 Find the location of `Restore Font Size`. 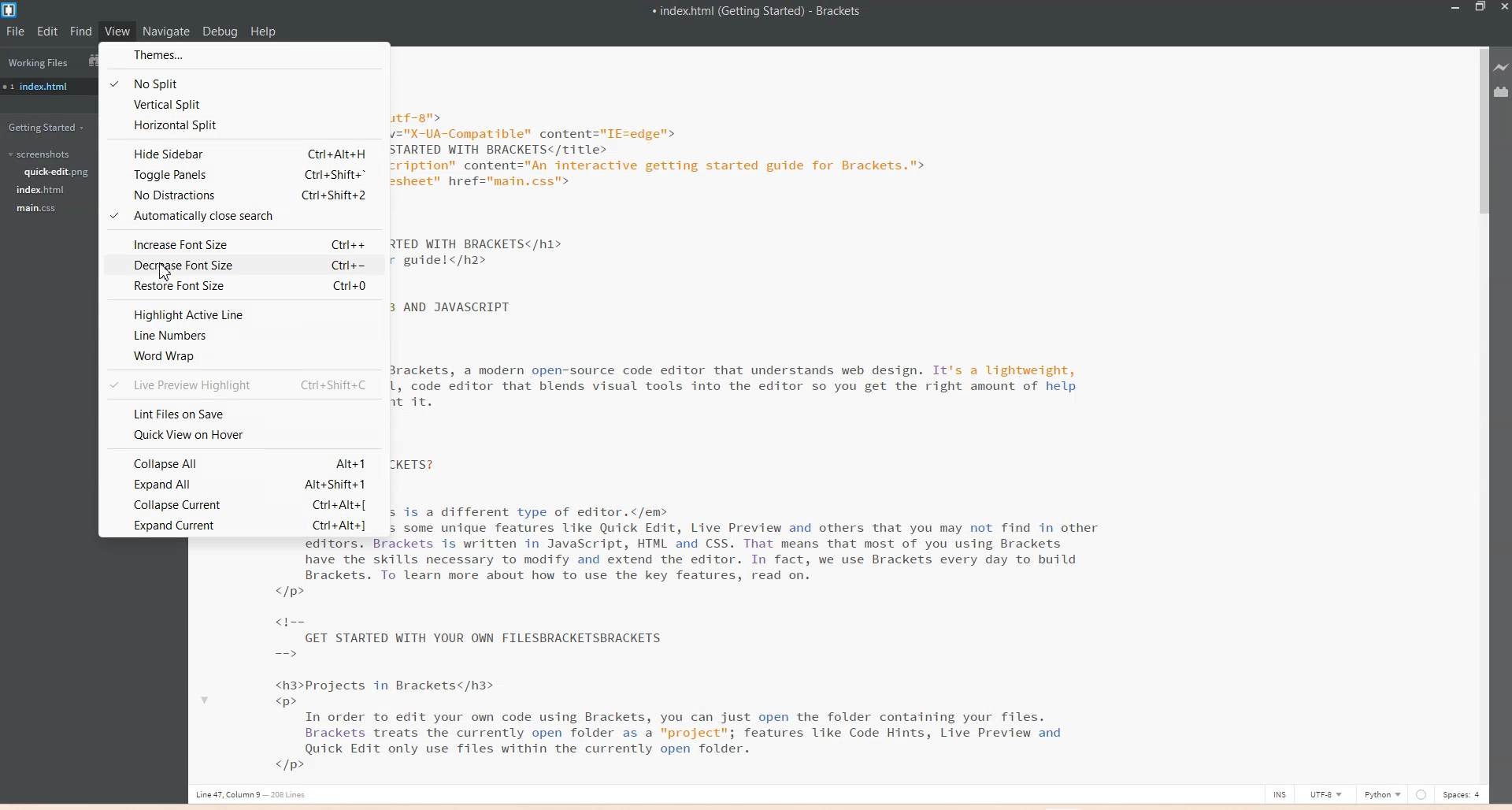

Restore Font Size is located at coordinates (243, 286).